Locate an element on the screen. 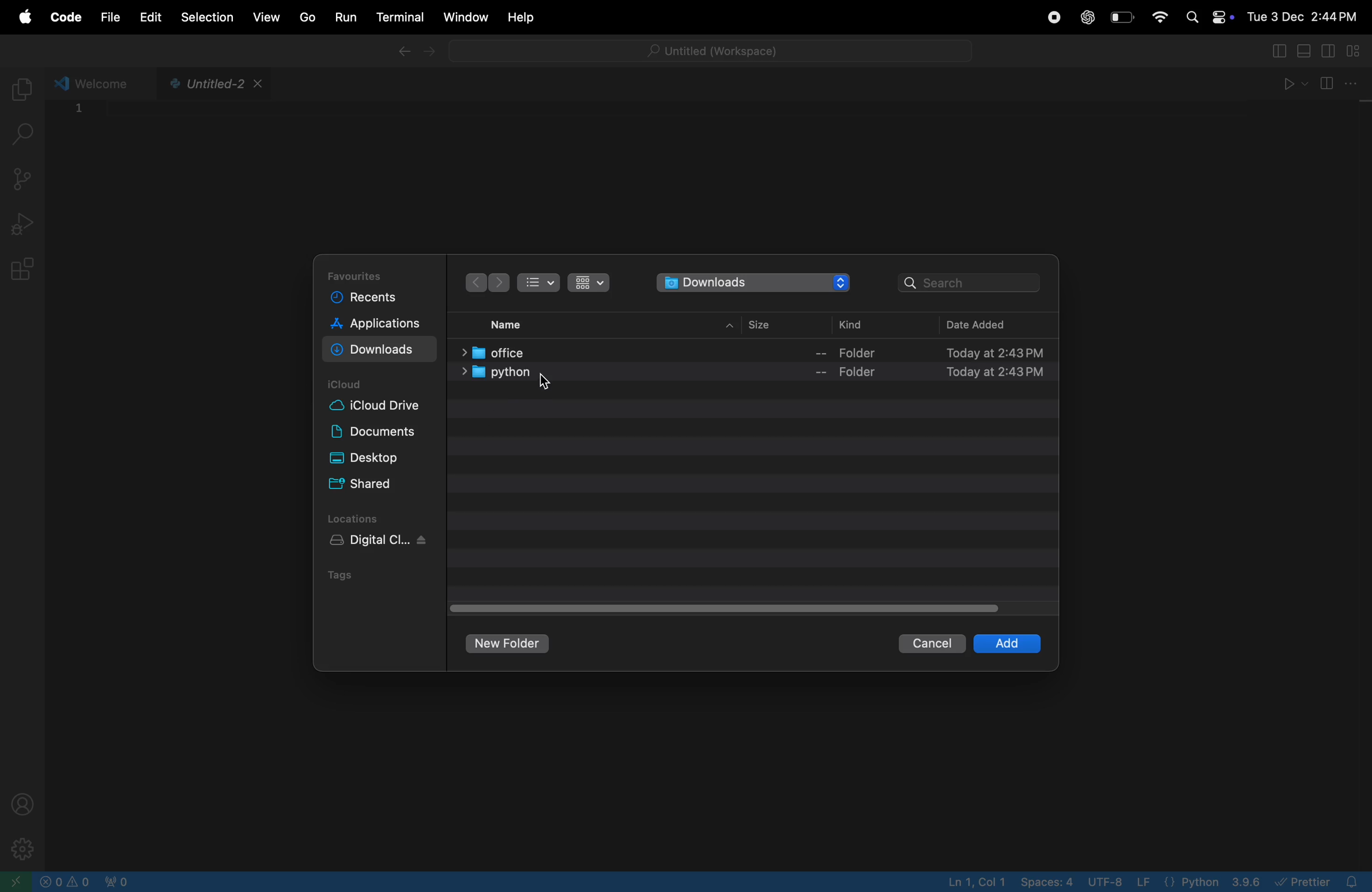  locations is located at coordinates (363, 520).